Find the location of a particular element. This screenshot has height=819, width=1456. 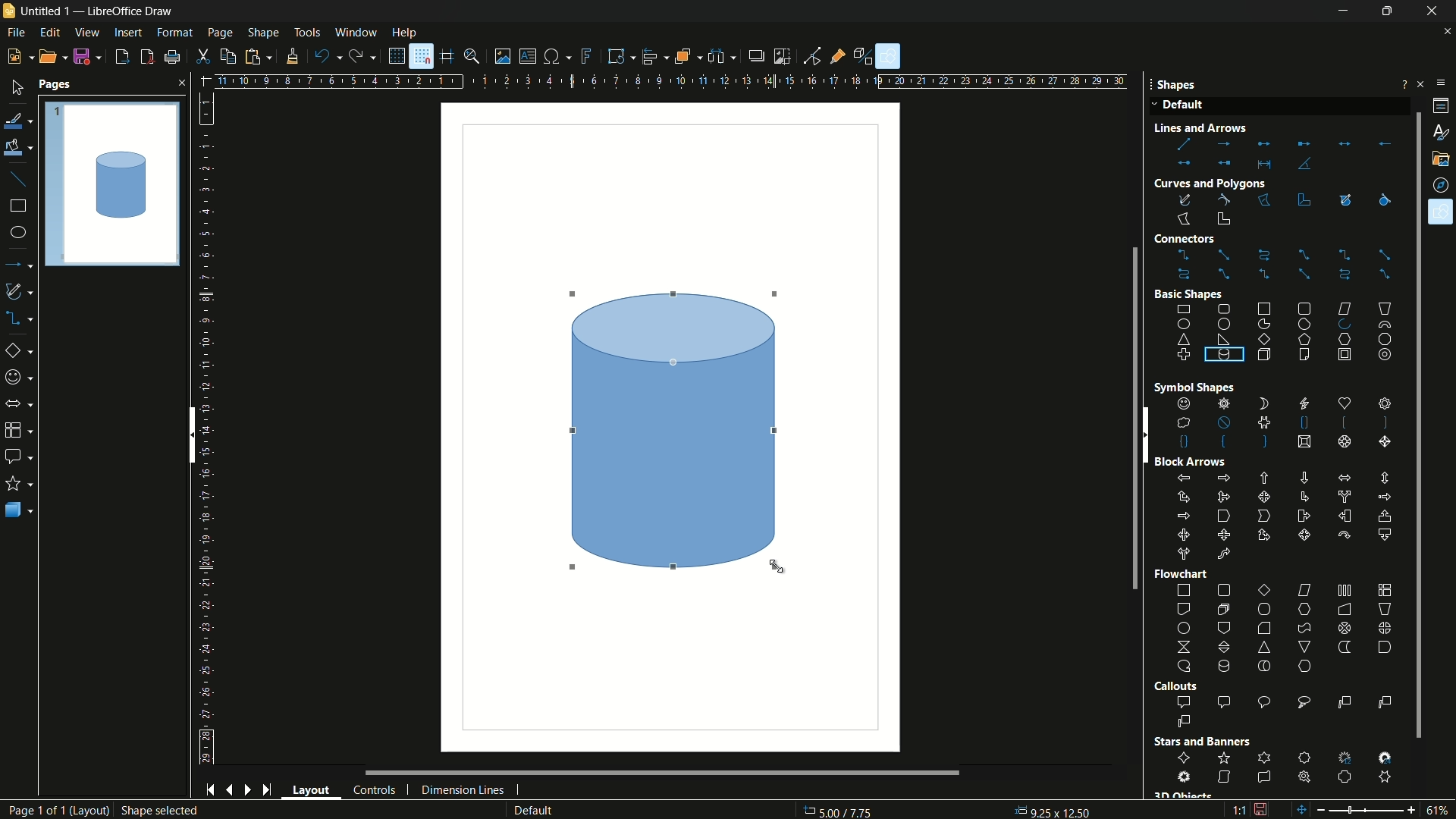

cylinder is located at coordinates (123, 190).